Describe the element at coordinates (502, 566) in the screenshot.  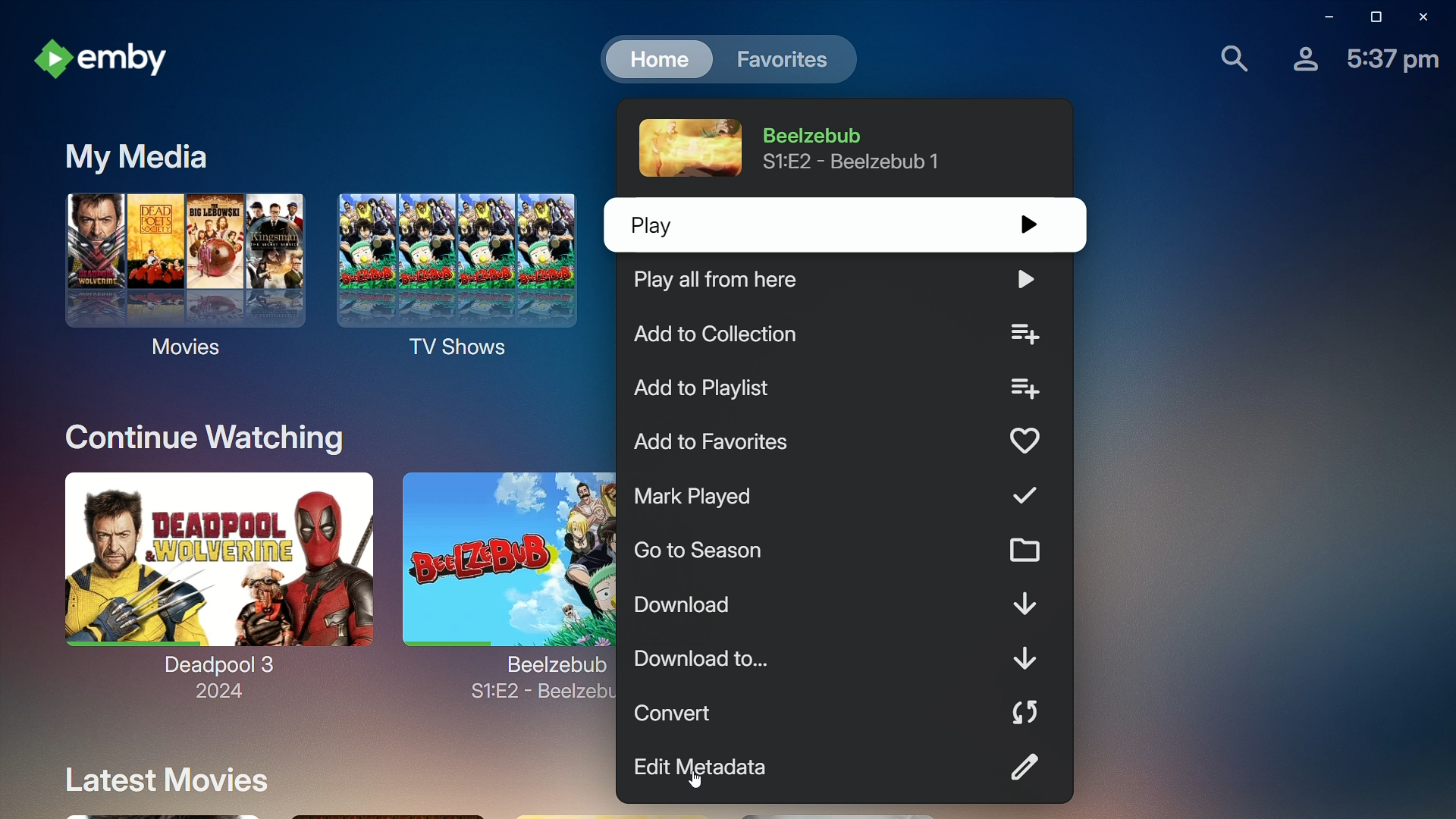
I see `Beelzebub` at that location.